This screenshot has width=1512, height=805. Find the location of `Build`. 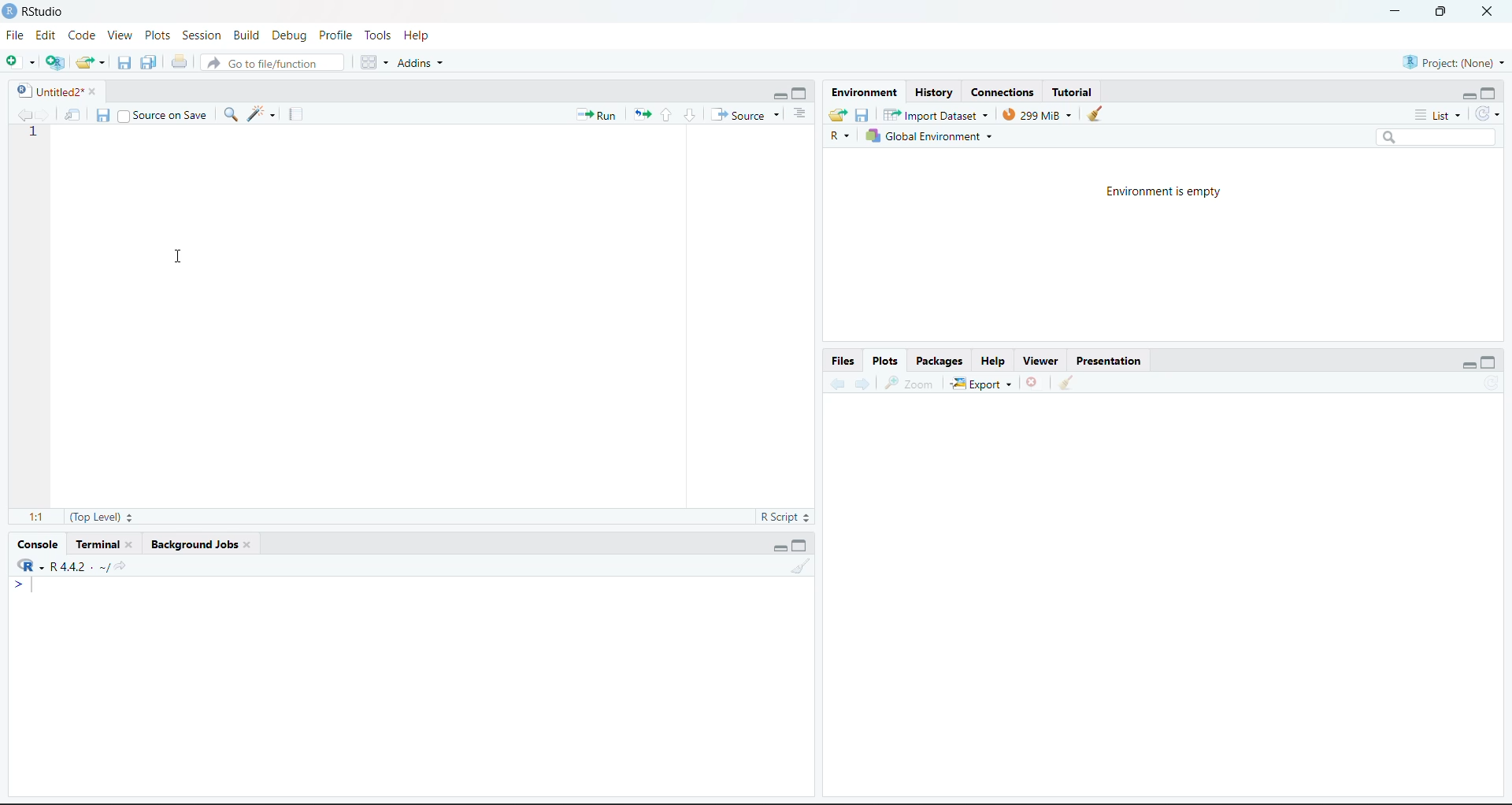

Build is located at coordinates (246, 35).